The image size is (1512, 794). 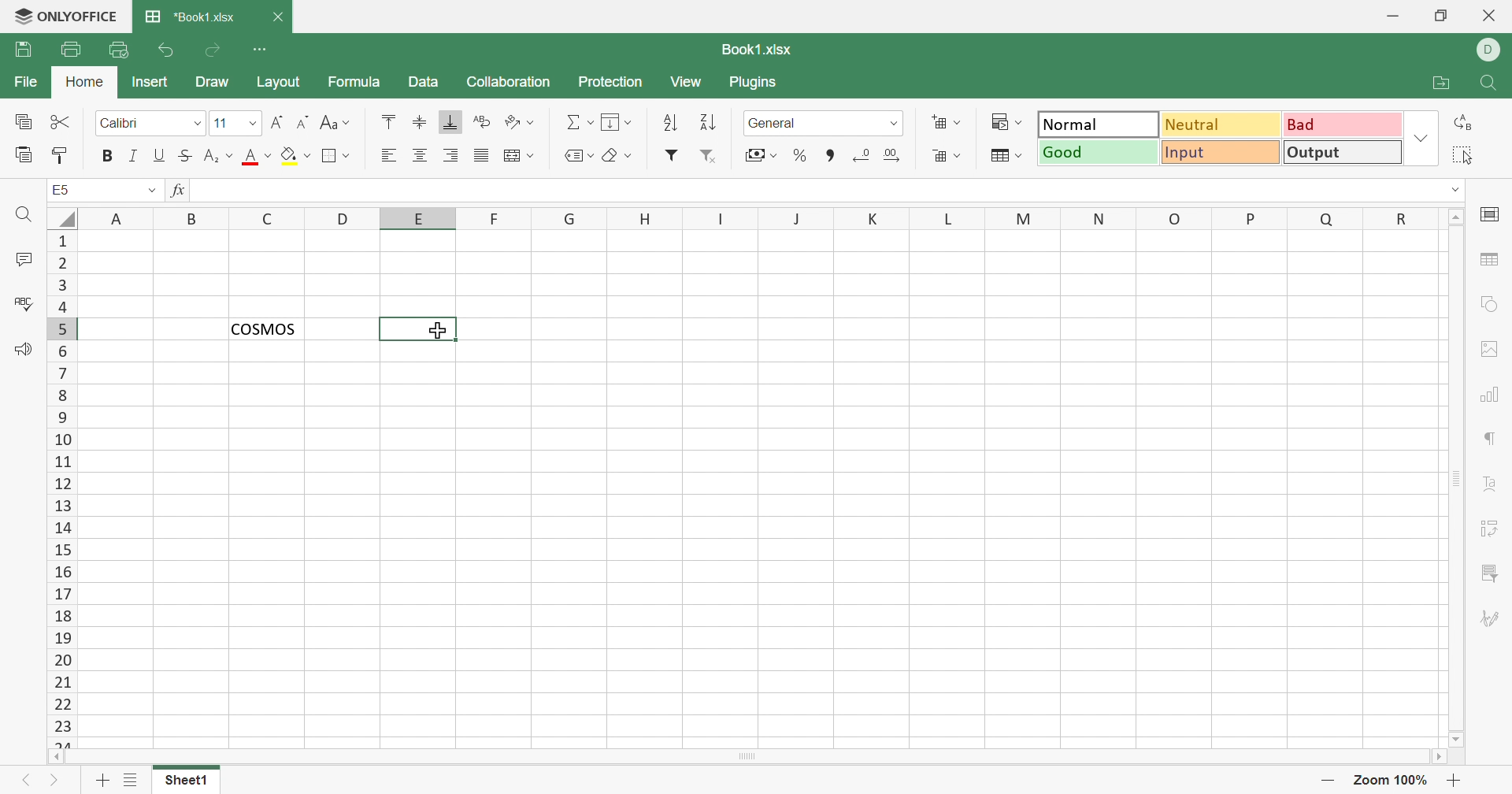 What do you see at coordinates (22, 50) in the screenshot?
I see `Save` at bounding box center [22, 50].